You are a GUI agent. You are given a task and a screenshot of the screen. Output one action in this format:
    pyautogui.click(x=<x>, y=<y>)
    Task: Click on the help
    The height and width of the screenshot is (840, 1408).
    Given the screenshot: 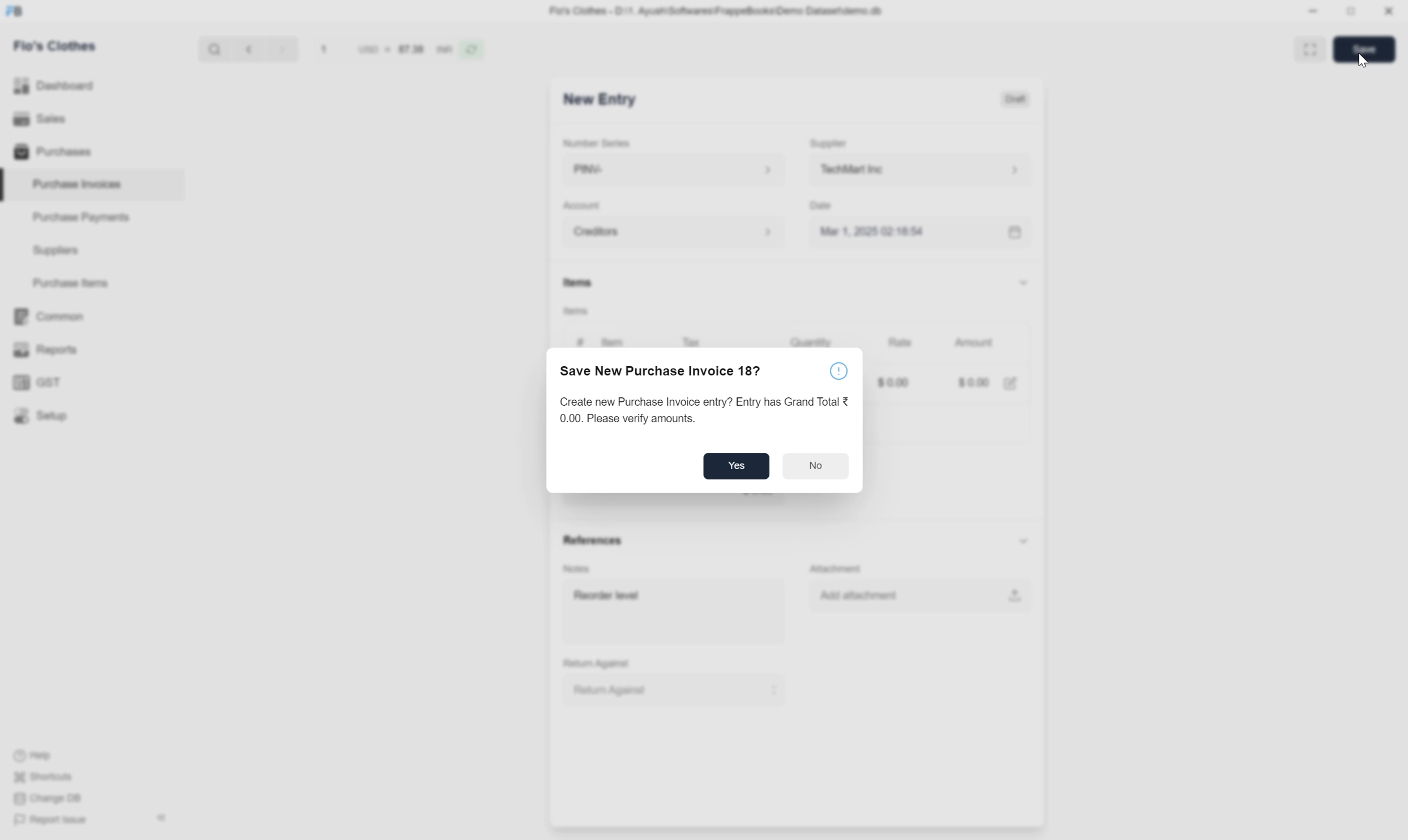 What is the action you would take?
    pyautogui.click(x=841, y=370)
    